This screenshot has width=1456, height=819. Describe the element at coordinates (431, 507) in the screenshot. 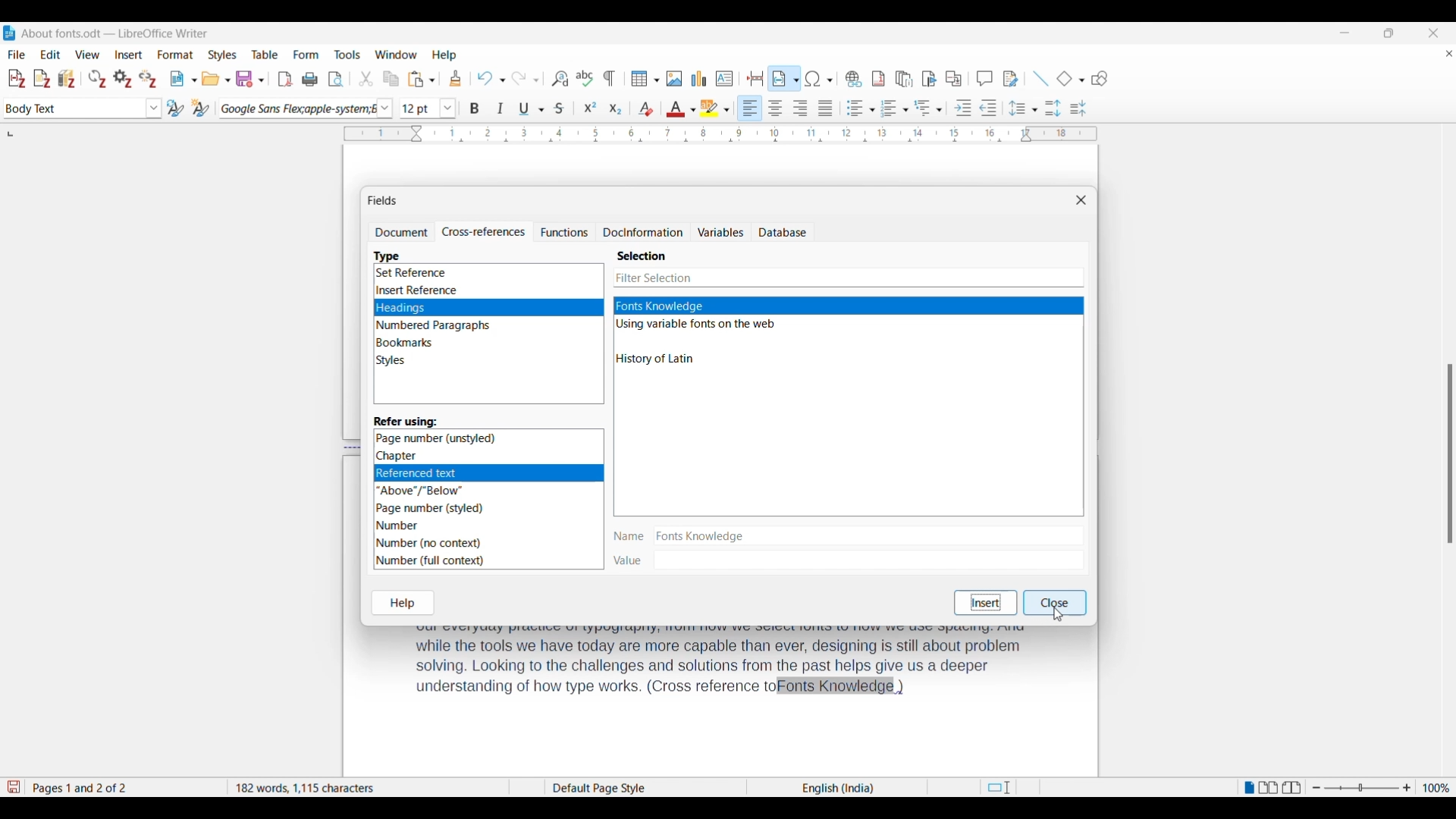

I see `Page number (styled)` at that location.